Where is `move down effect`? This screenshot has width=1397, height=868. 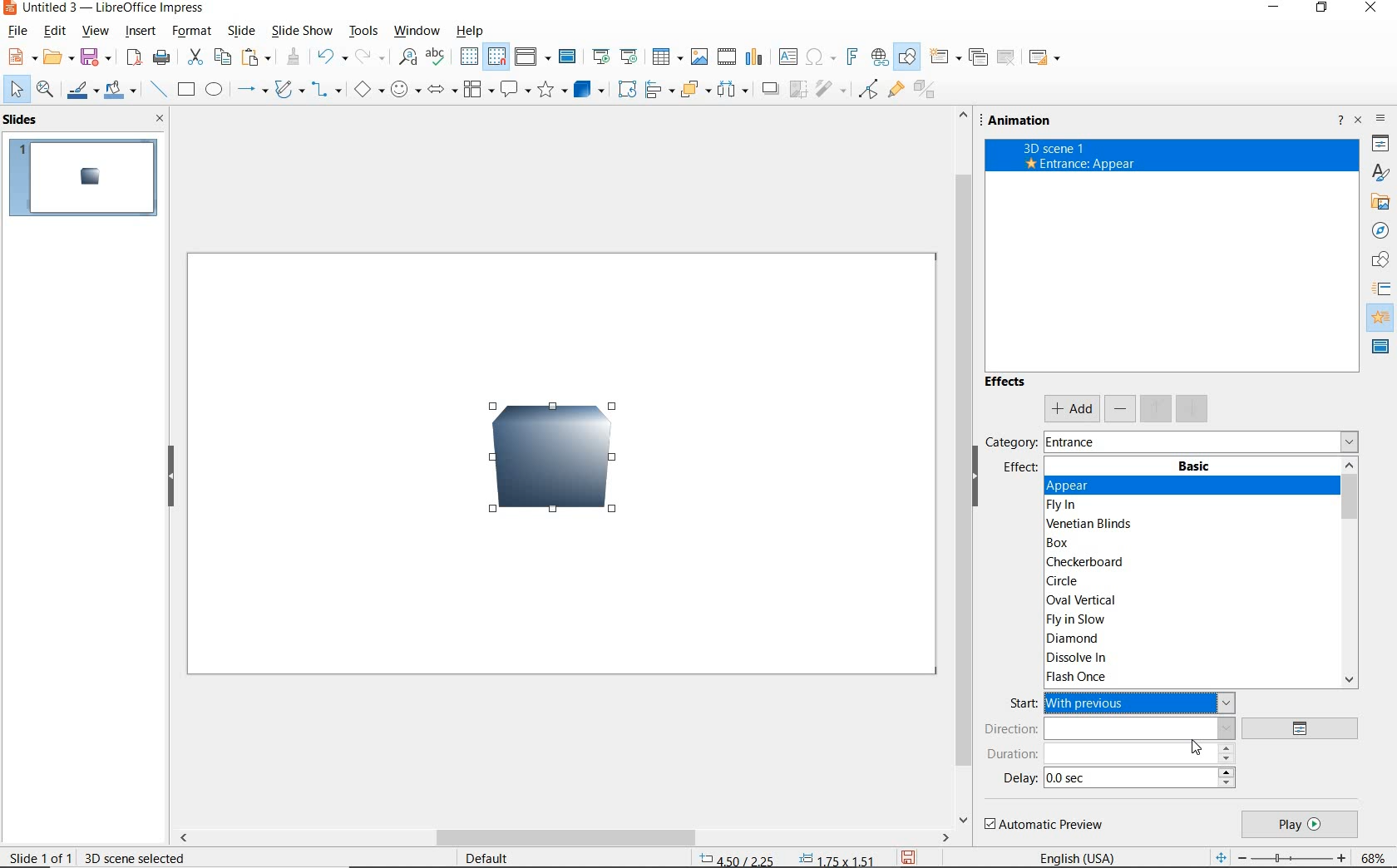 move down effect is located at coordinates (1191, 407).